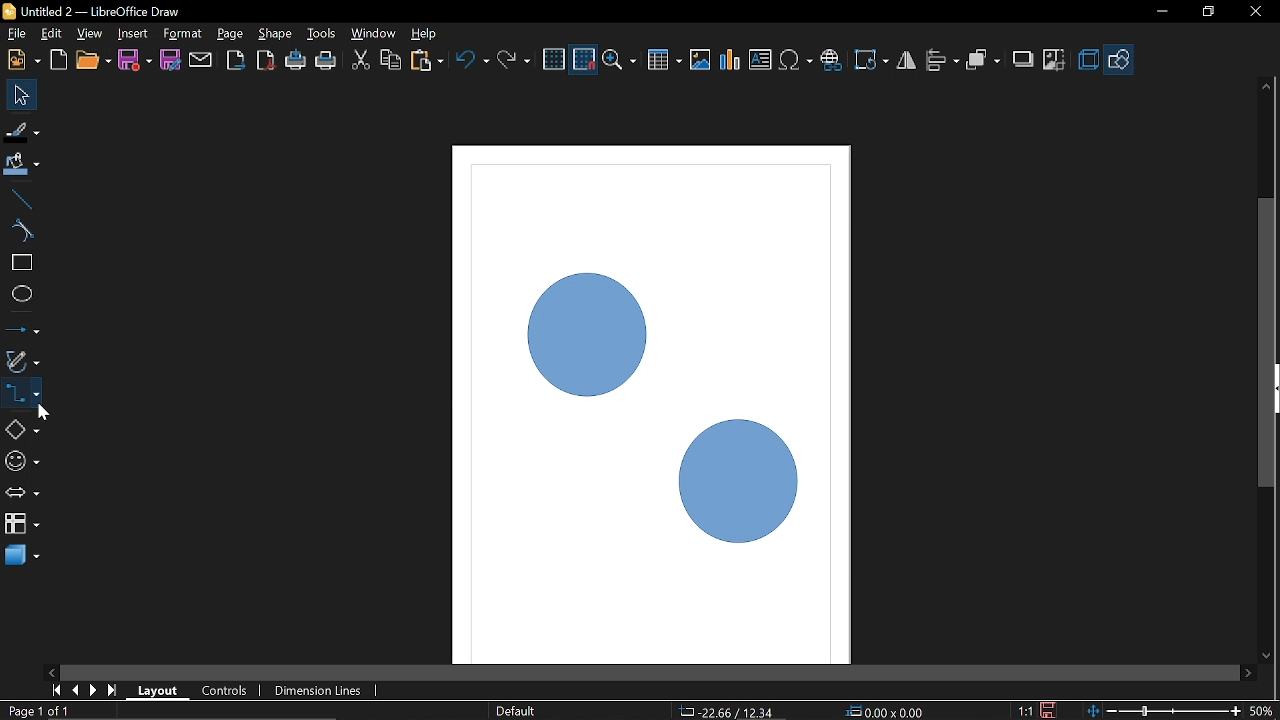 The height and width of the screenshot is (720, 1280). What do you see at coordinates (297, 60) in the screenshot?
I see `Print directly` at bounding box center [297, 60].